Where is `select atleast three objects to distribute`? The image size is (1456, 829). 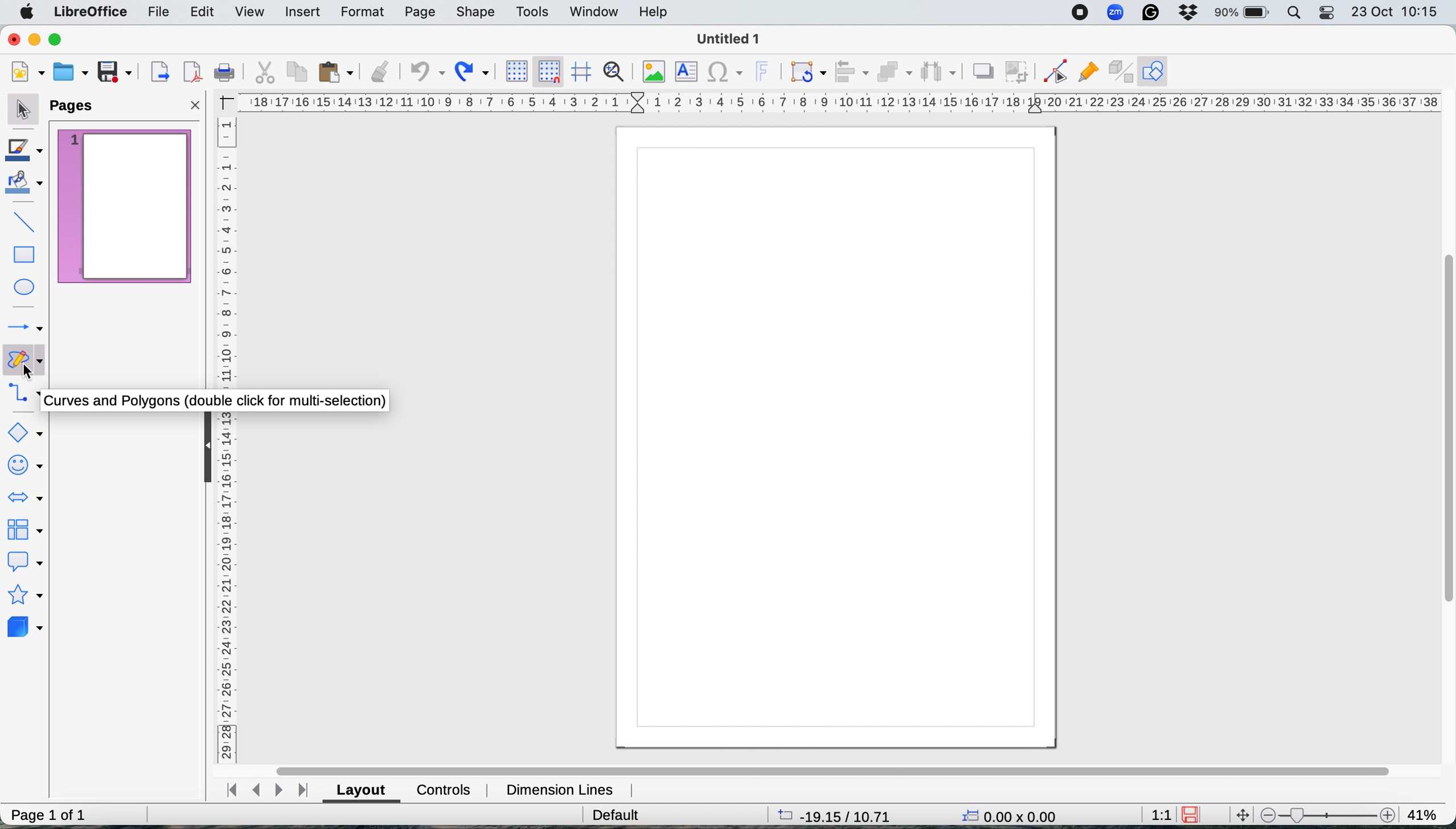
select atleast three objects to distribute is located at coordinates (938, 72).